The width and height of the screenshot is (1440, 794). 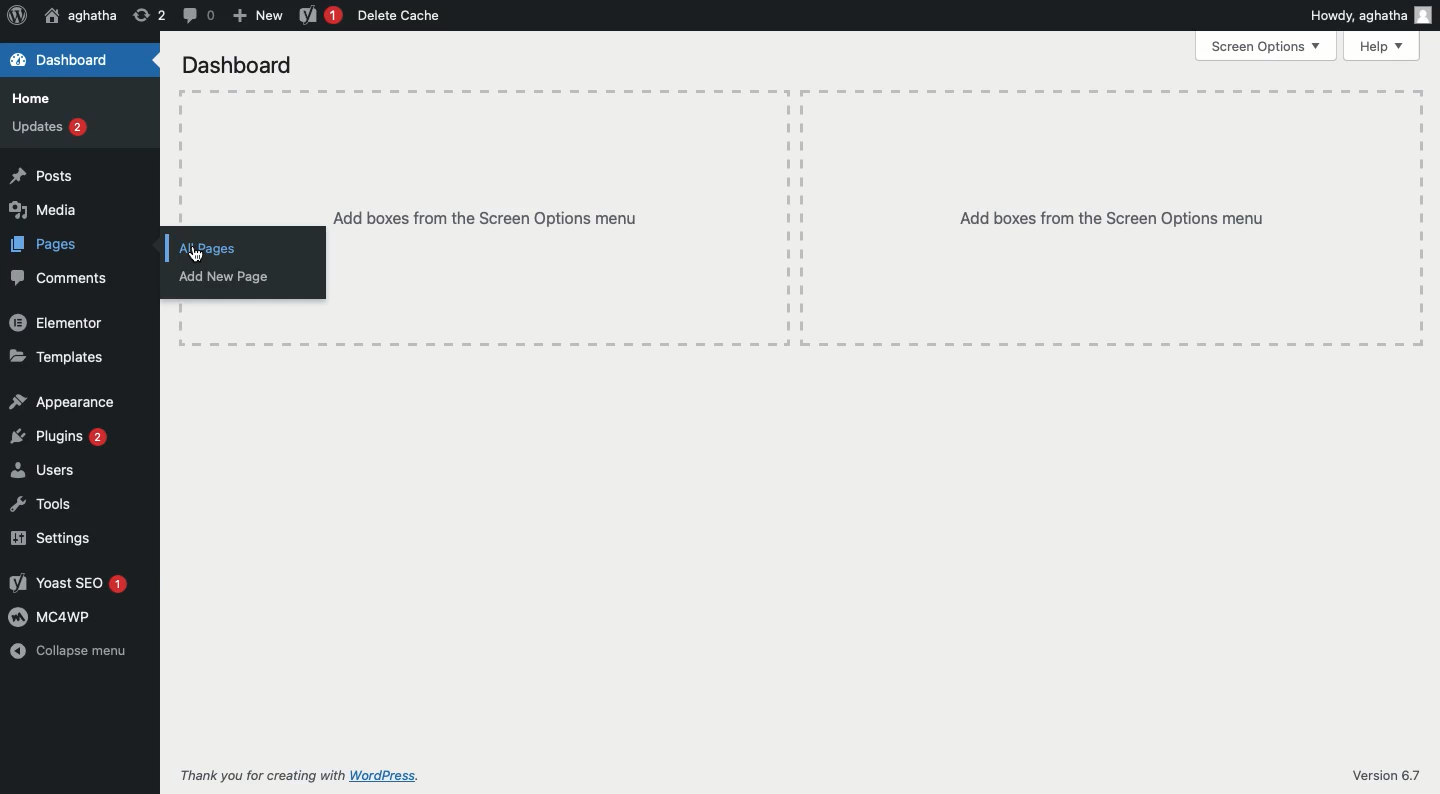 What do you see at coordinates (74, 176) in the screenshot?
I see `Posts` at bounding box center [74, 176].